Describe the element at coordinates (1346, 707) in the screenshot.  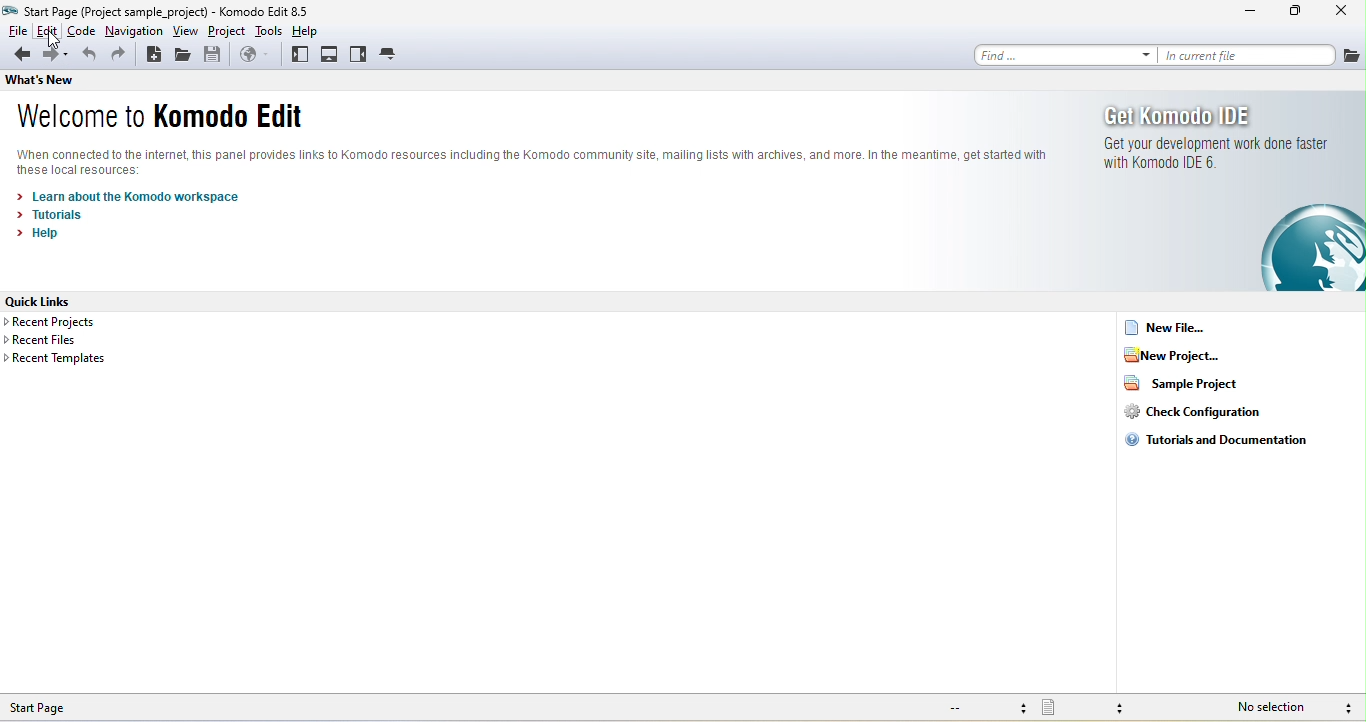
I see `syntax checking` at that location.